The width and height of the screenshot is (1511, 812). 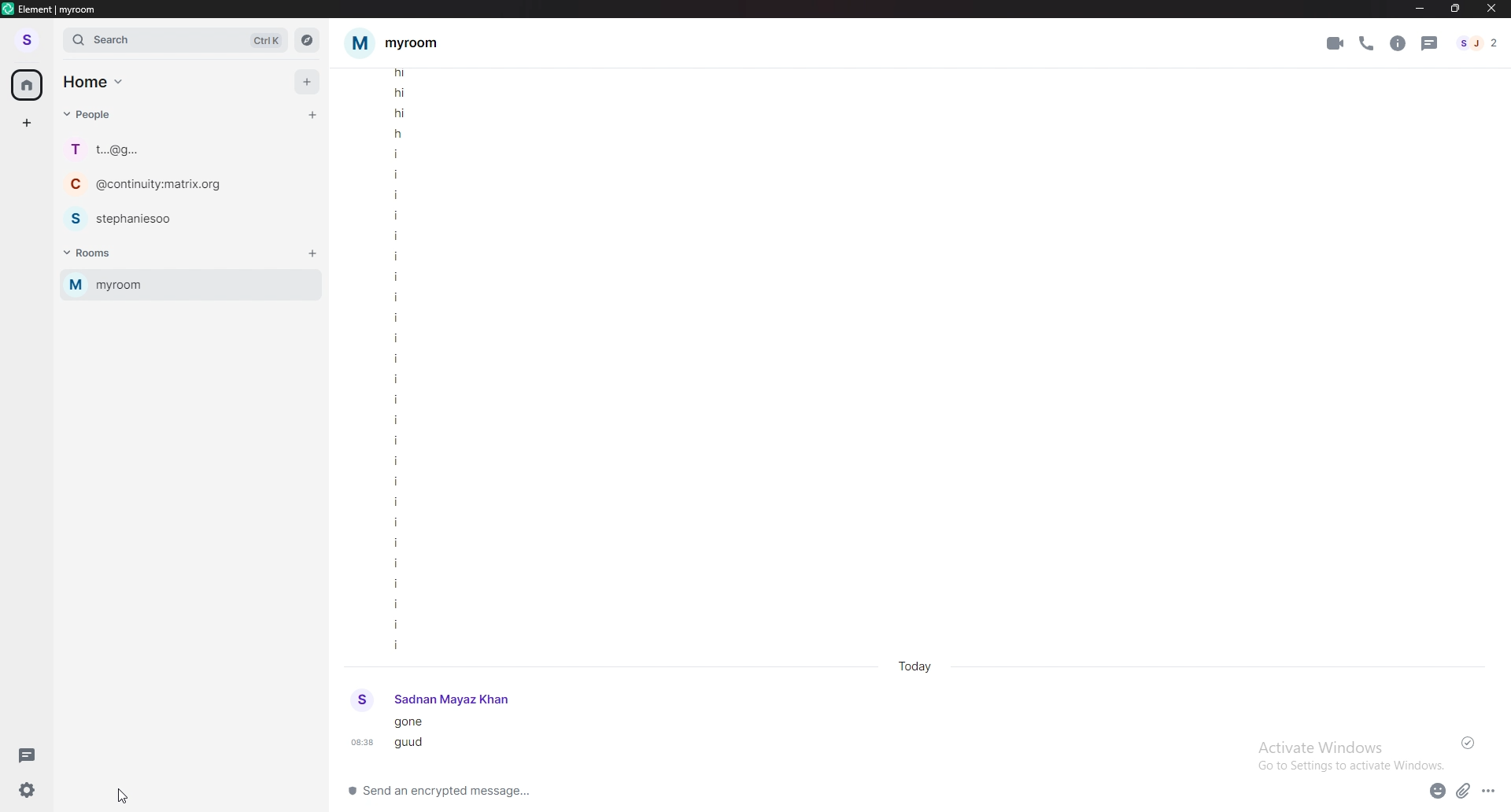 I want to click on profile, so click(x=431, y=701).